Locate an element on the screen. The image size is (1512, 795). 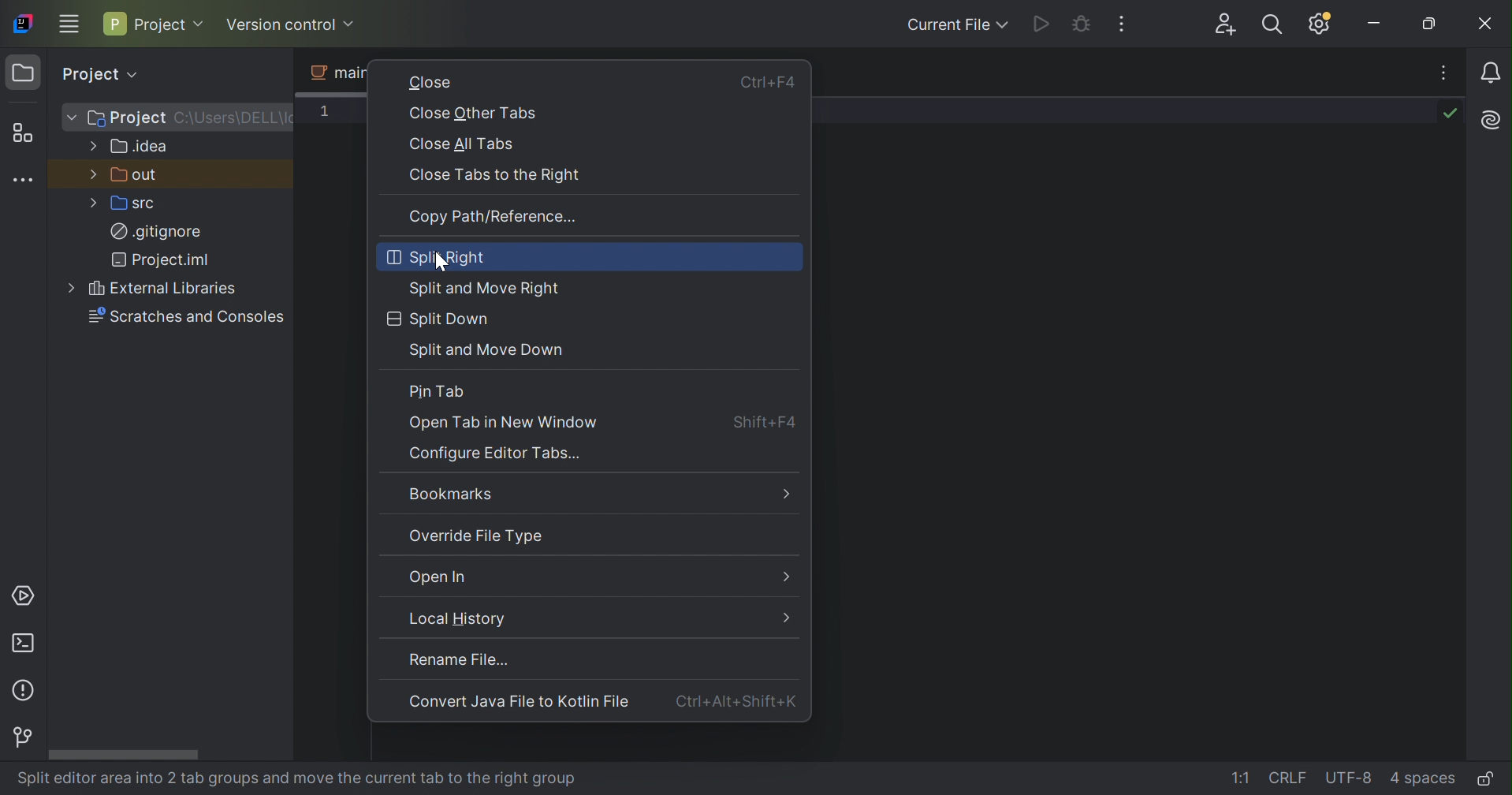
Project is located at coordinates (102, 74).